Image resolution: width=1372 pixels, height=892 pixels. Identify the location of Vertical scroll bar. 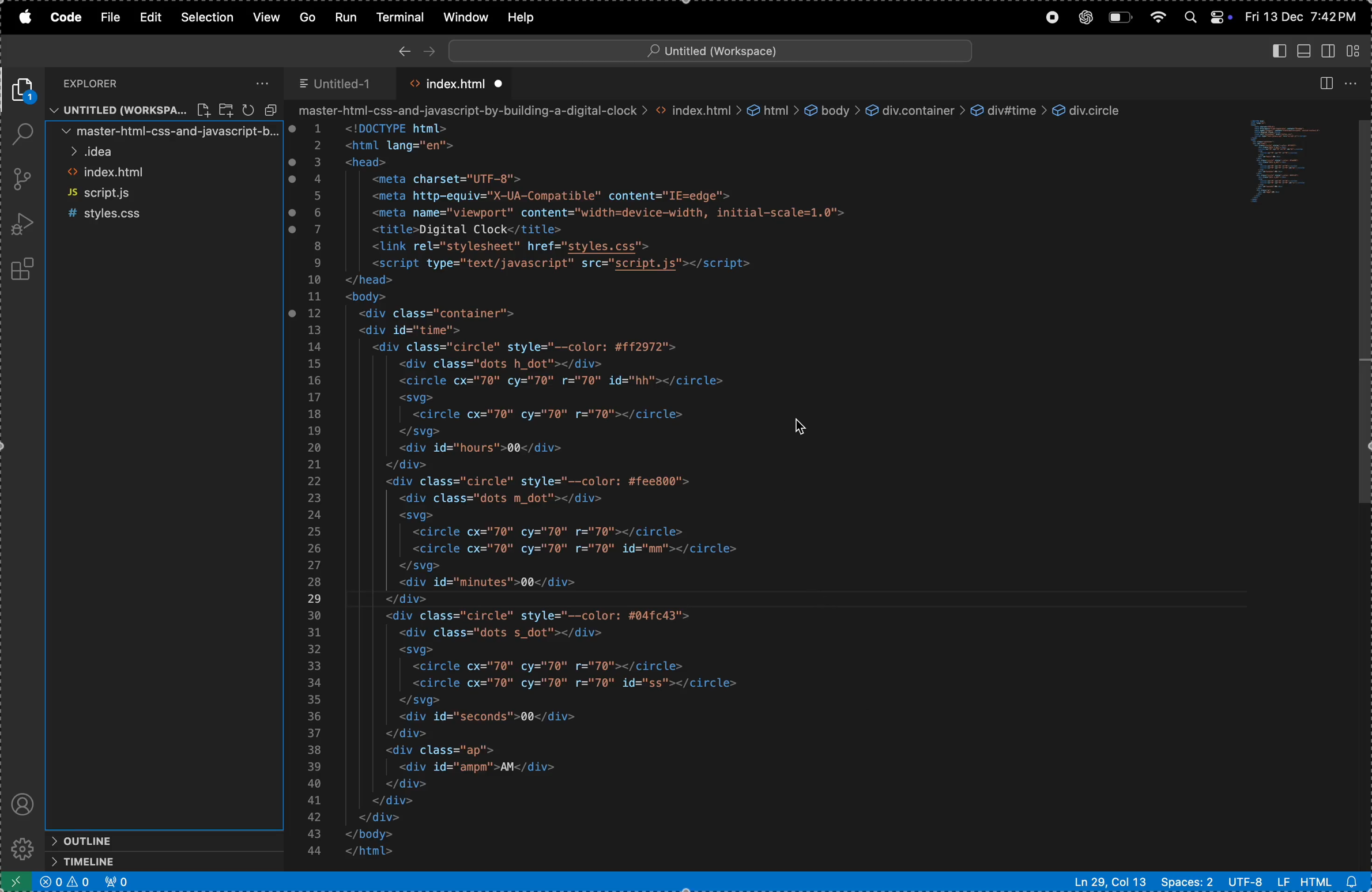
(1363, 316).